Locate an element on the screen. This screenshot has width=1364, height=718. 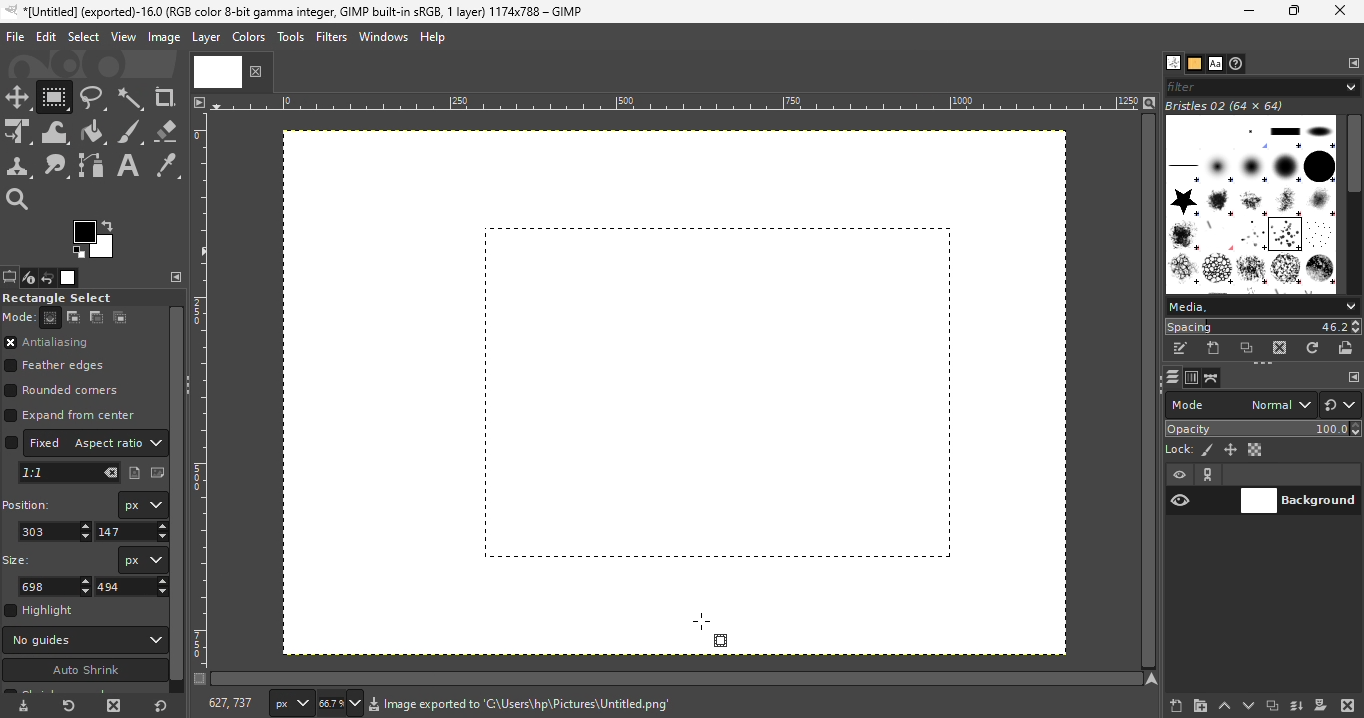
Replace the current selection is located at coordinates (53, 318).